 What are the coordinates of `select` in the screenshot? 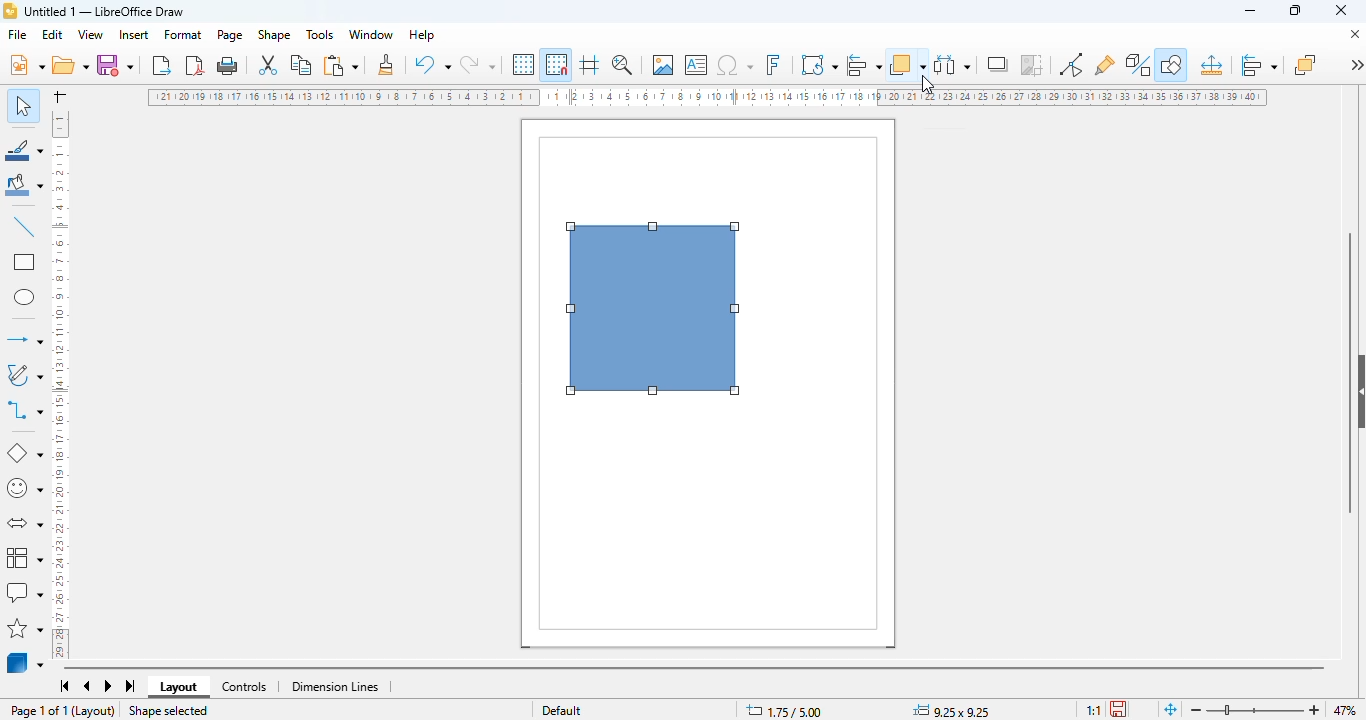 It's located at (23, 105).